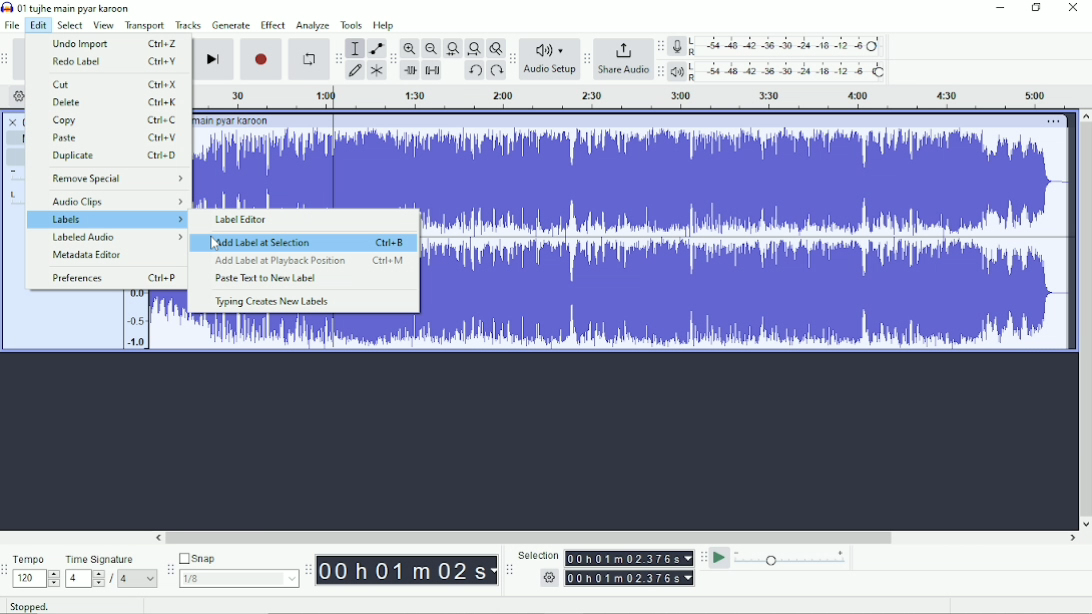  I want to click on Record, so click(262, 59).